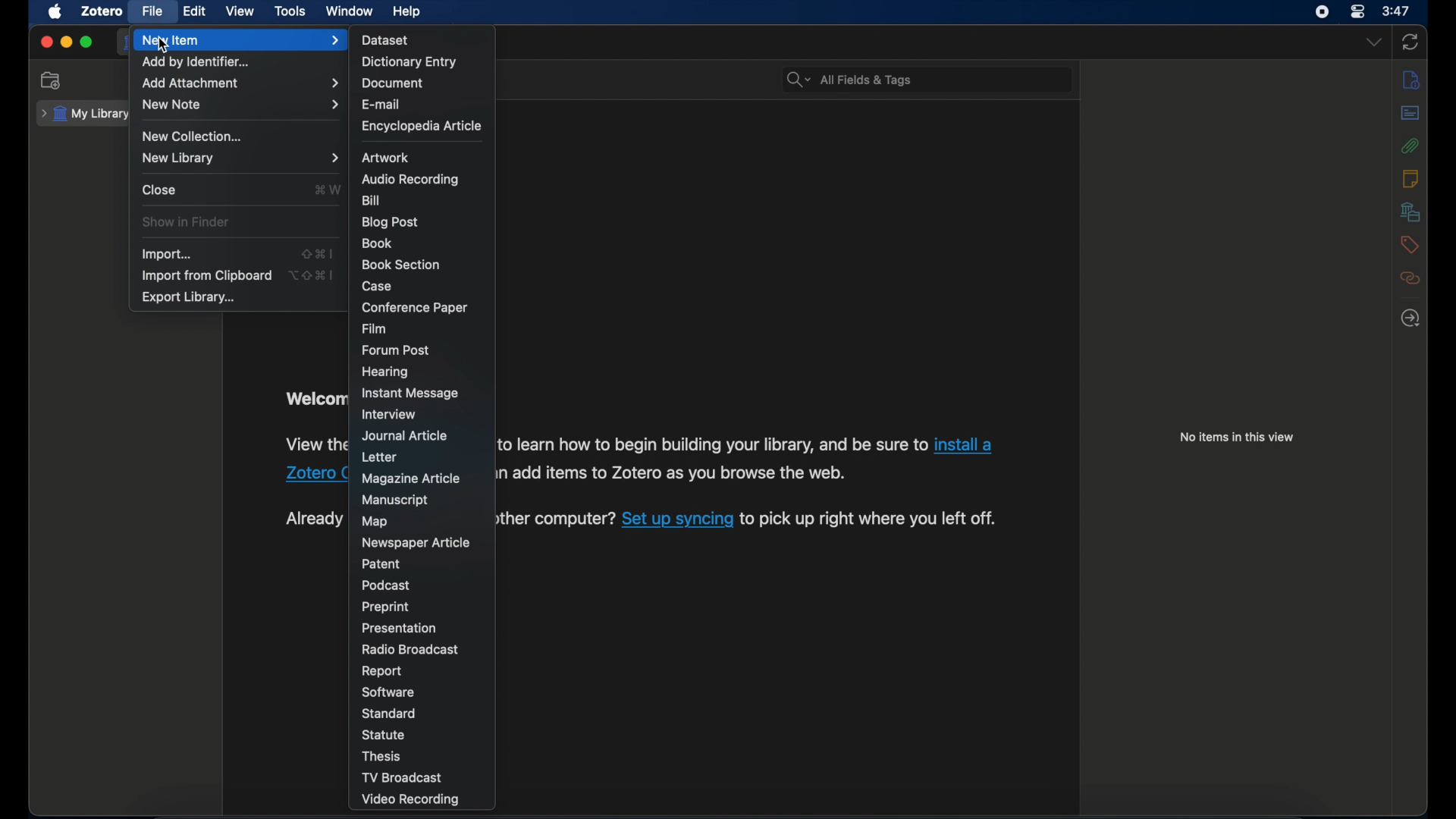 Image resolution: width=1456 pixels, height=819 pixels. What do you see at coordinates (967, 447) in the screenshot?
I see `hyperlink` at bounding box center [967, 447].